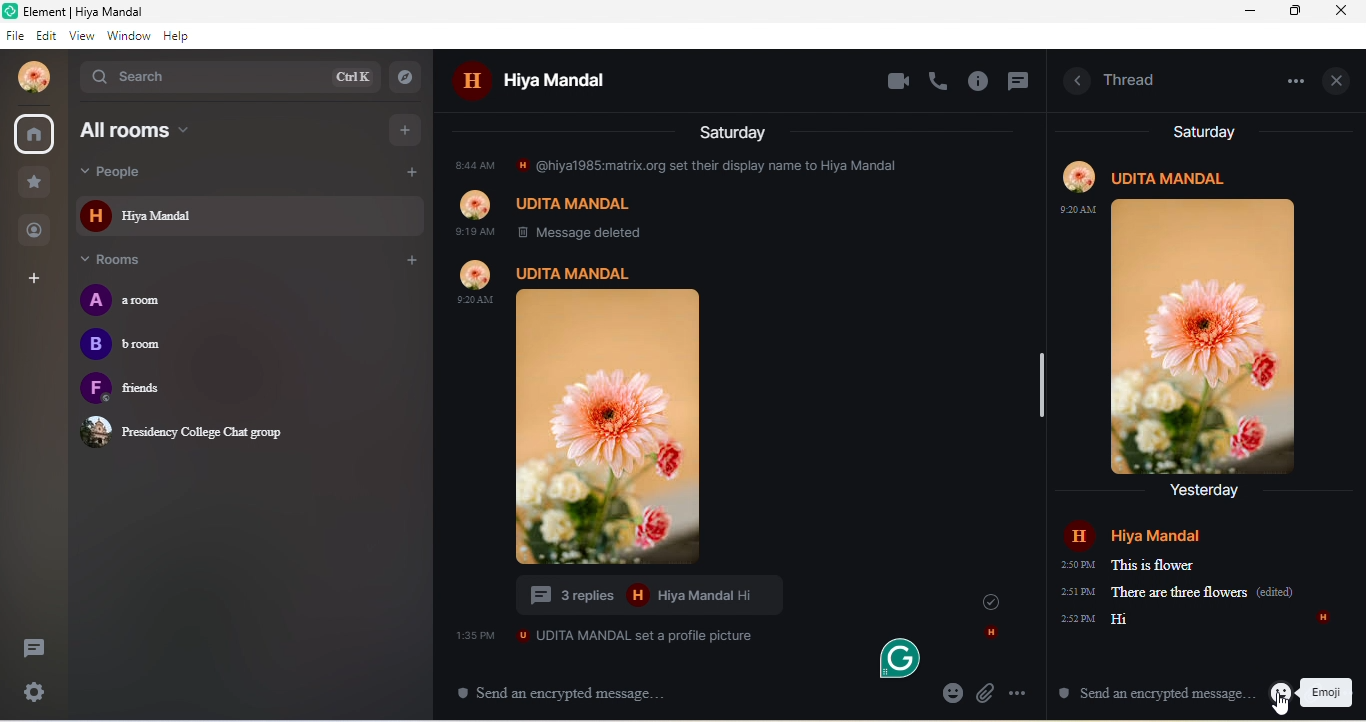  Describe the element at coordinates (529, 85) in the screenshot. I see `H Hiya Mandal` at that location.